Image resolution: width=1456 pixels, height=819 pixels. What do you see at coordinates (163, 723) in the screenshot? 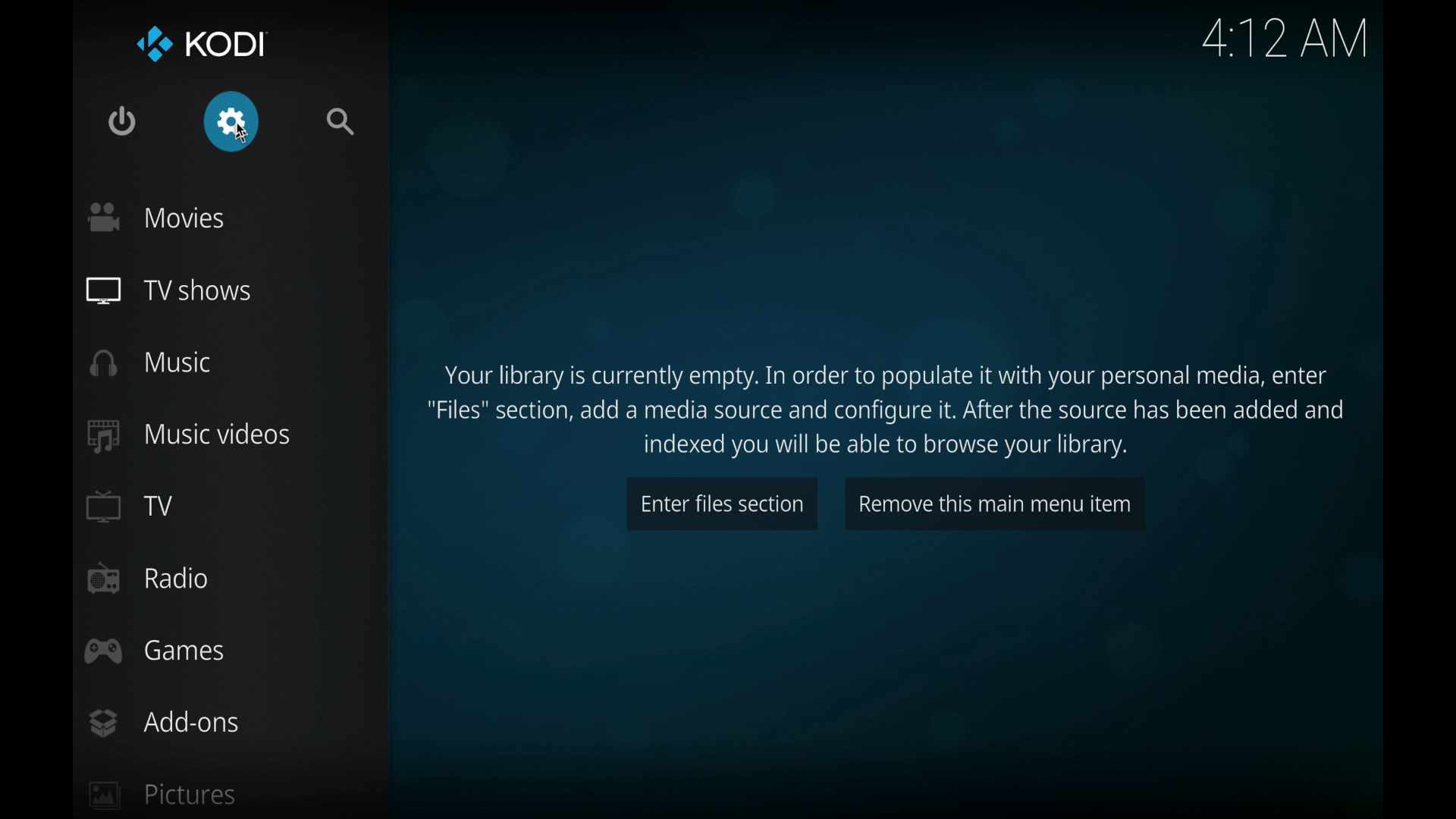
I see `add-ons` at bounding box center [163, 723].